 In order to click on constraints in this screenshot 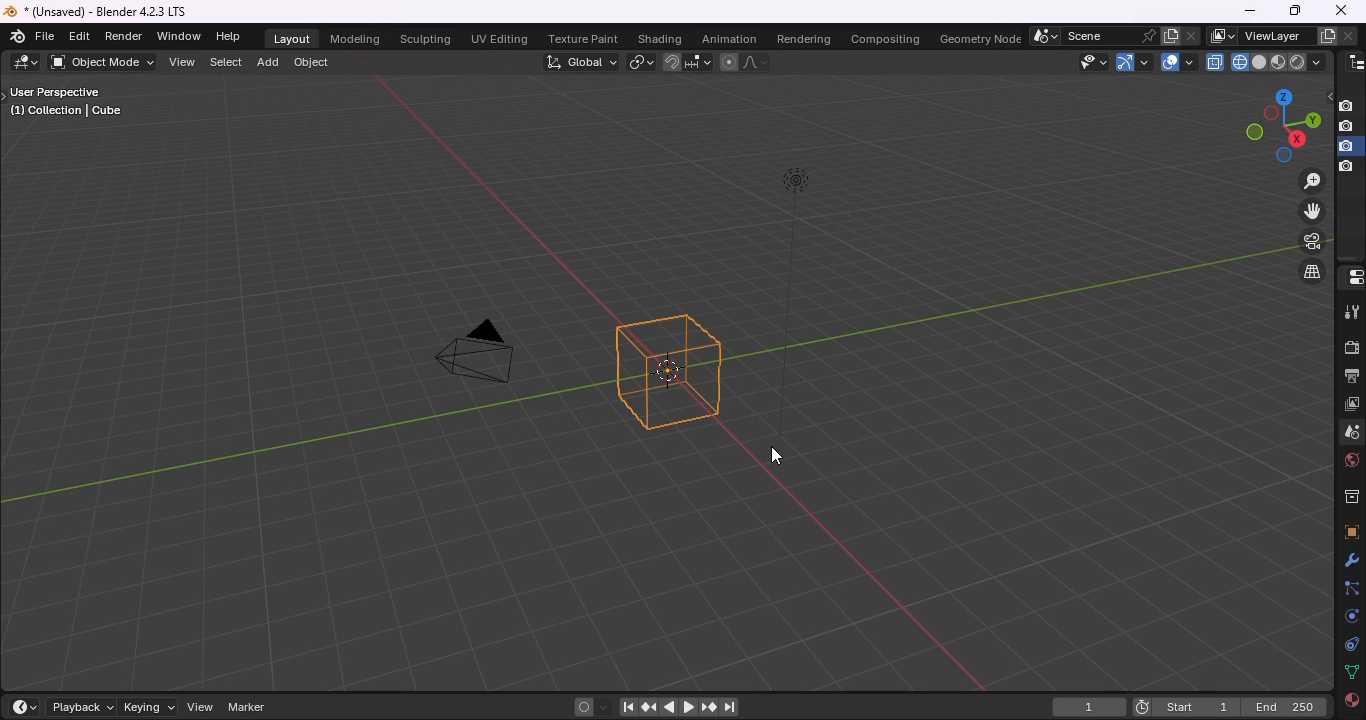, I will do `click(1351, 644)`.